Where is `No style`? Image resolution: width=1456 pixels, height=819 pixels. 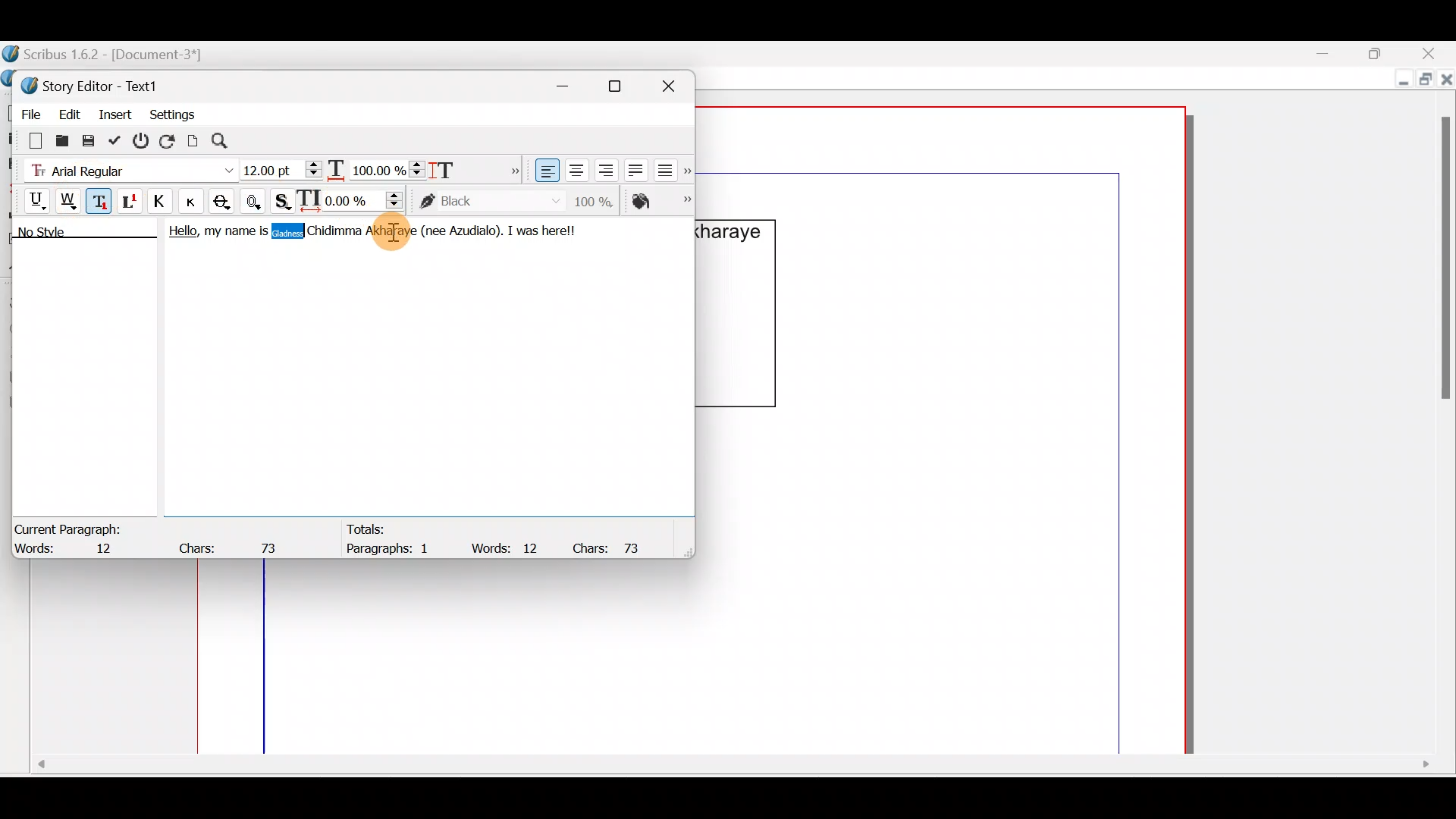 No style is located at coordinates (58, 234).